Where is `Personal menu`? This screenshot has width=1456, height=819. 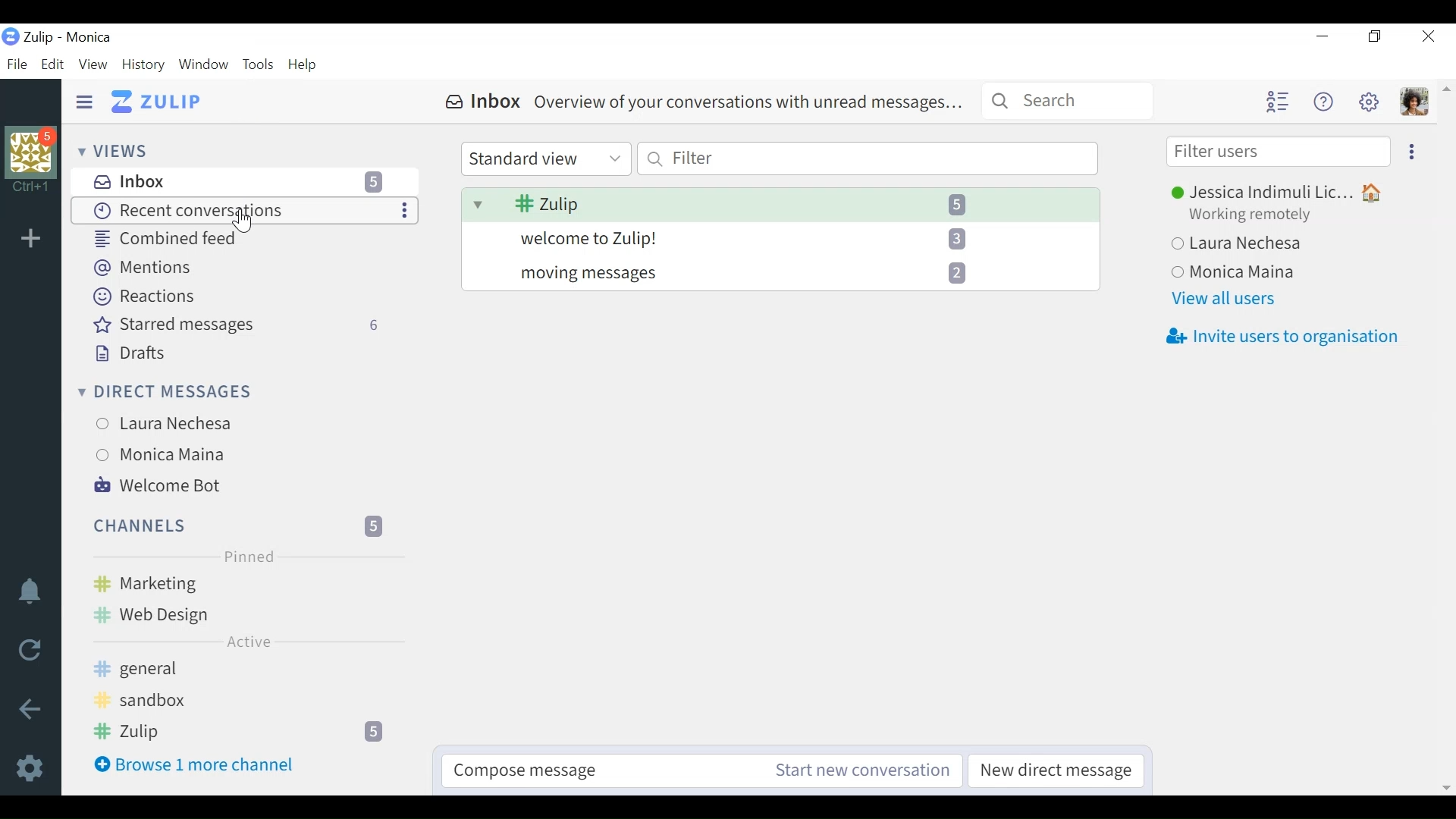 Personal menu is located at coordinates (1414, 103).